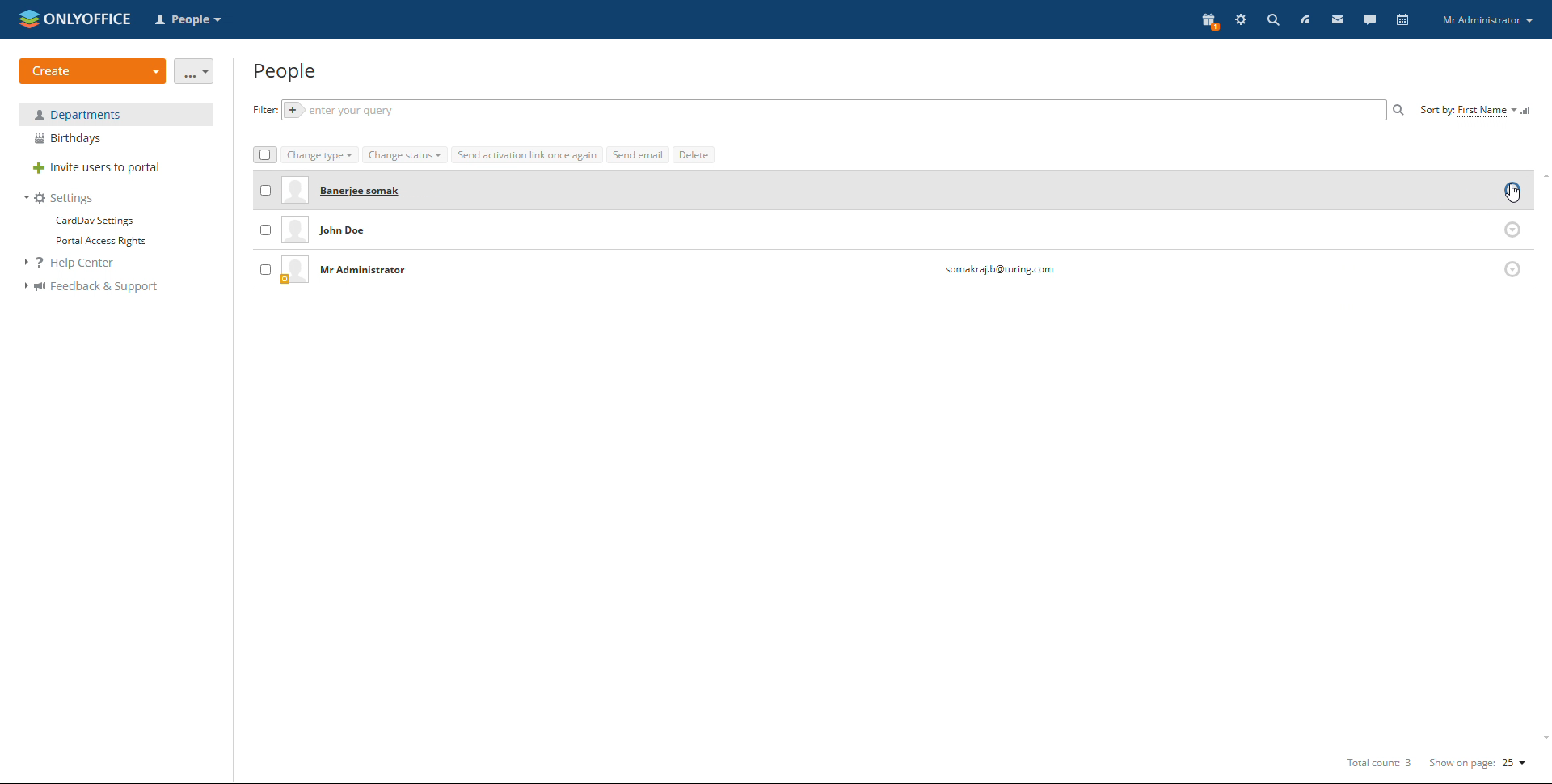 The width and height of the screenshot is (1552, 784). Describe the element at coordinates (295, 231) in the screenshot. I see `profile picture` at that location.